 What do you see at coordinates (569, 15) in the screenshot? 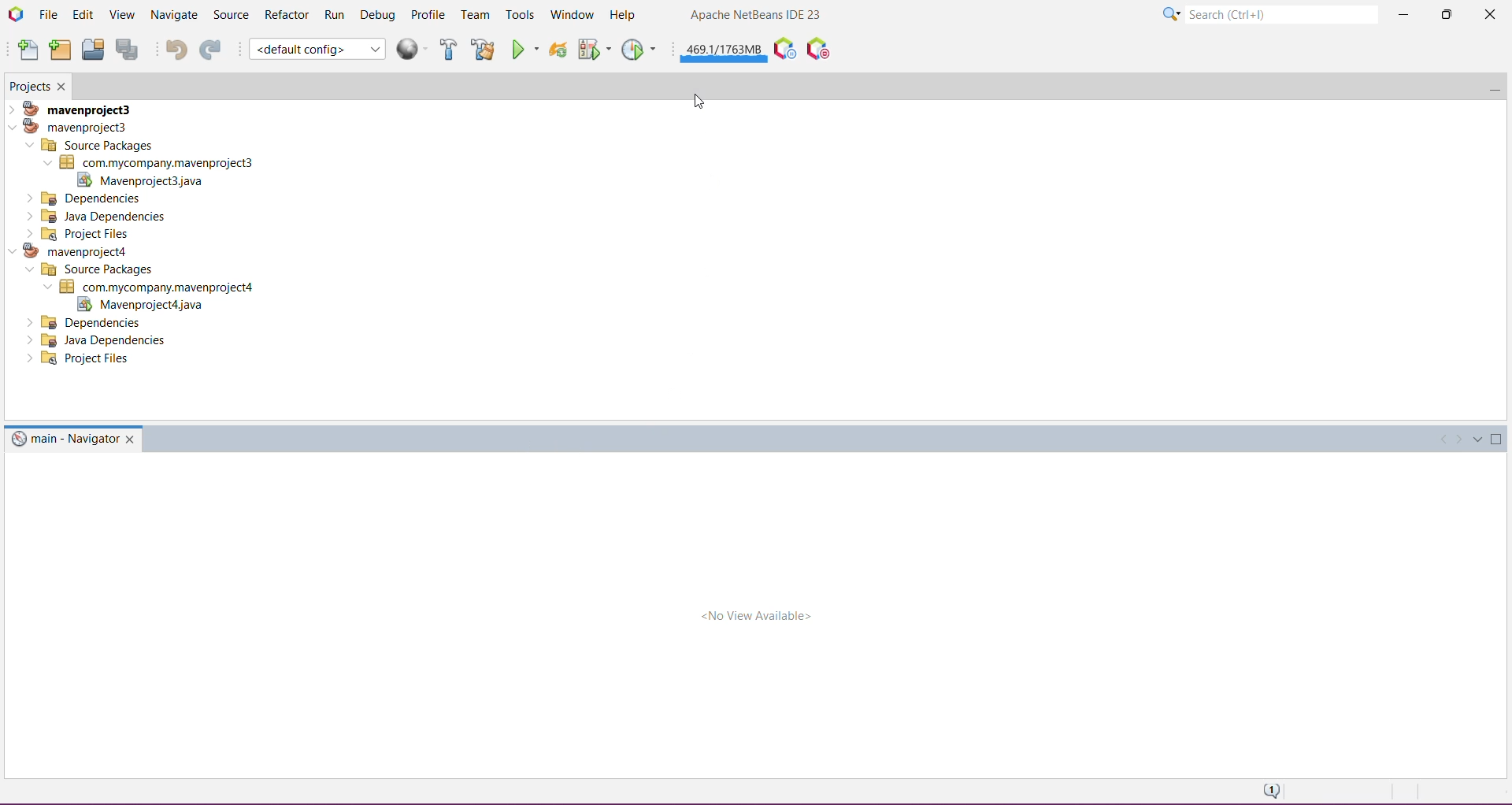
I see `Window` at bounding box center [569, 15].